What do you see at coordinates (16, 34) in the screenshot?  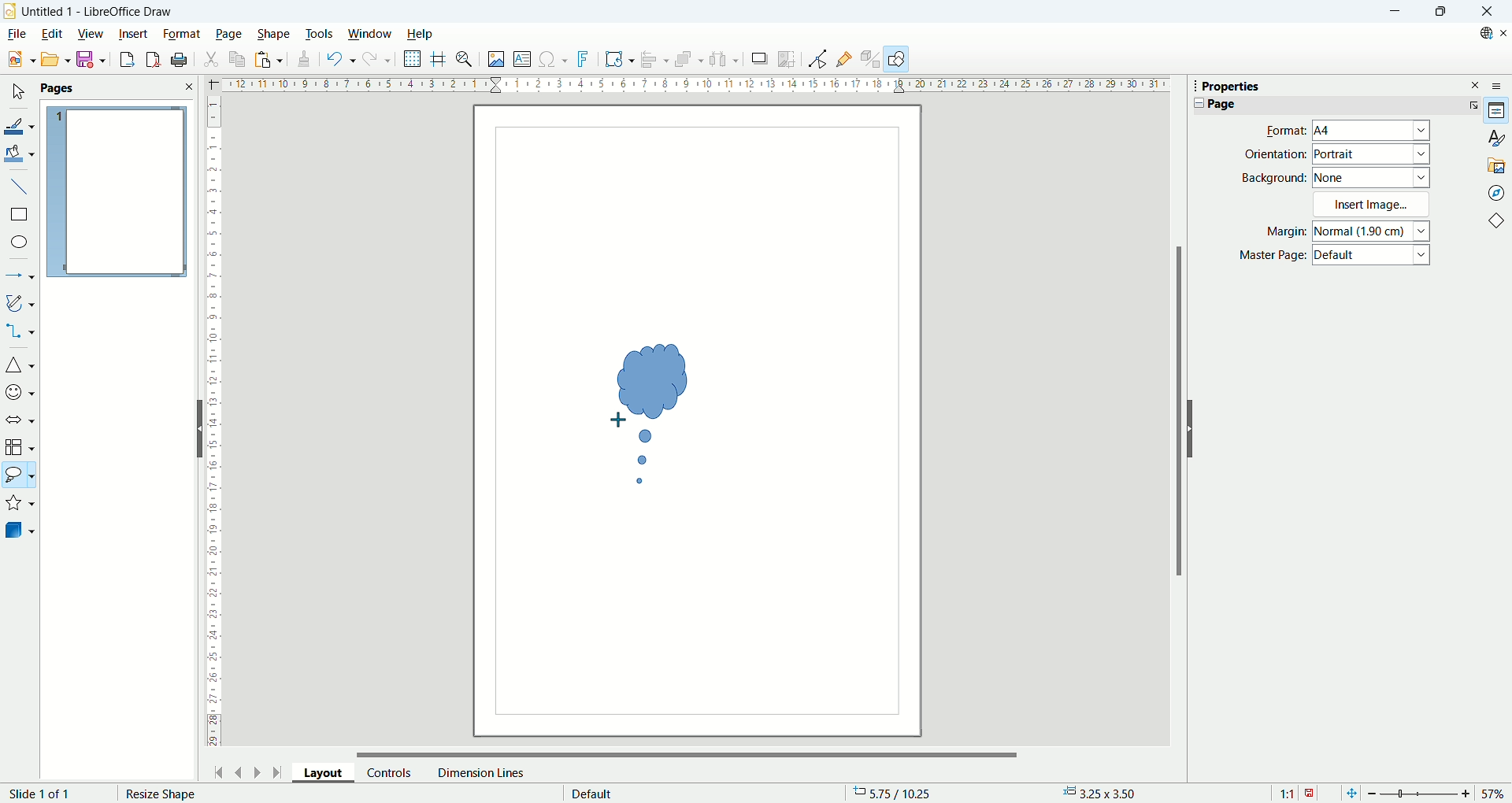 I see `file` at bounding box center [16, 34].